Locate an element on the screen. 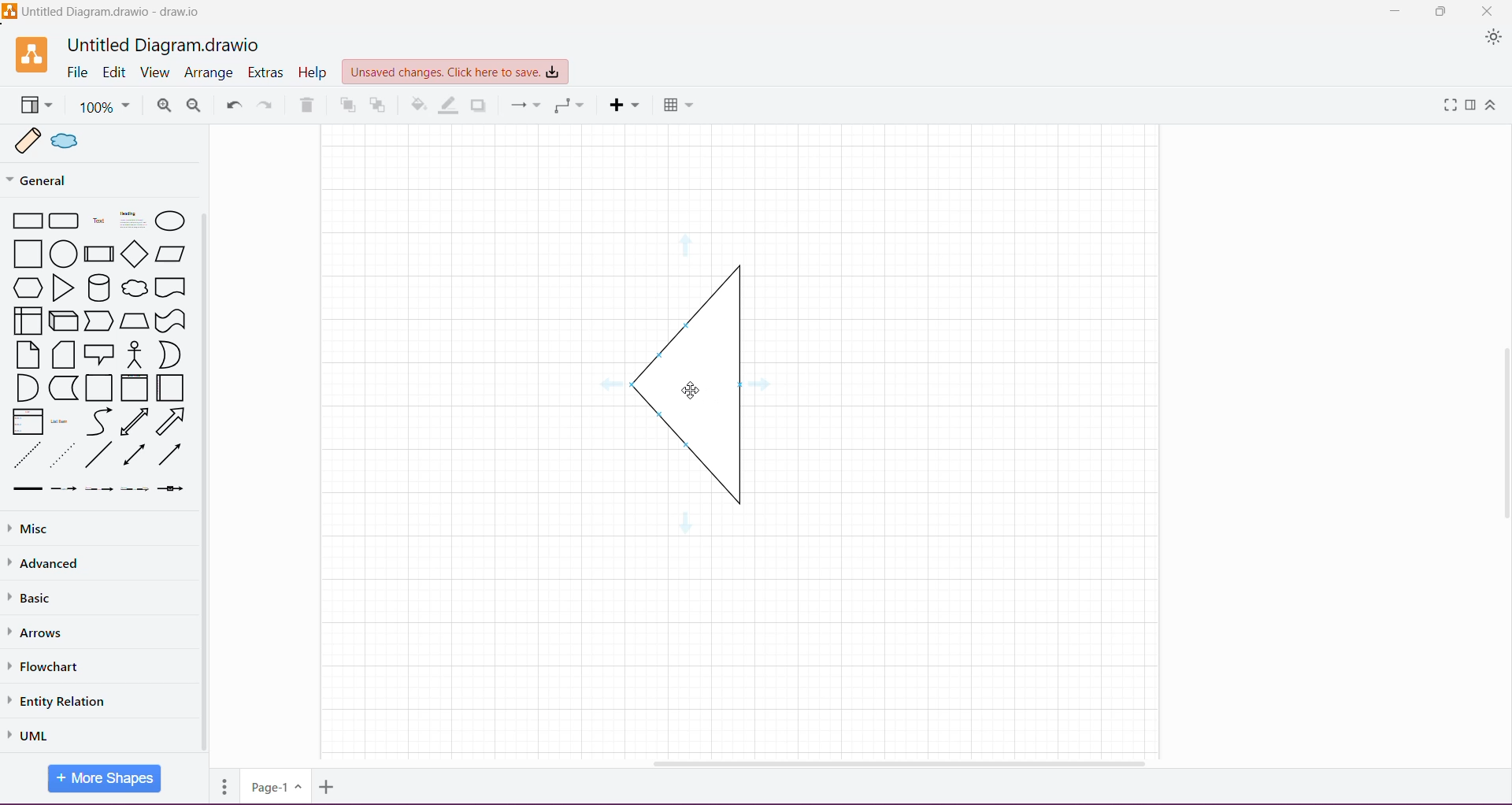 The image size is (1512, 805). Unsaved Changes. Click here to save is located at coordinates (454, 72).